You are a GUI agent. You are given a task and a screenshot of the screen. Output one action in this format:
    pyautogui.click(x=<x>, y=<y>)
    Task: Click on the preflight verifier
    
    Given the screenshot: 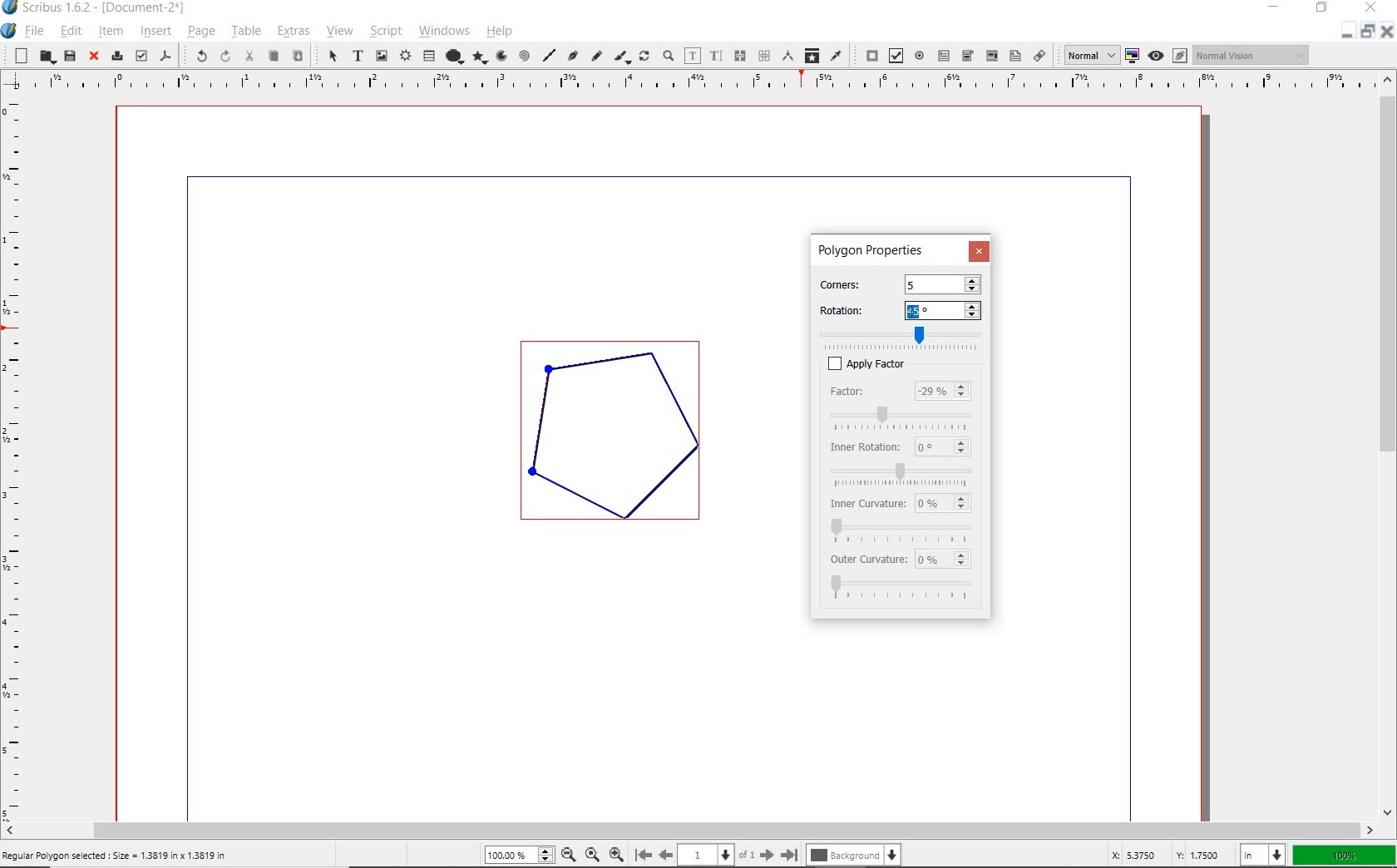 What is the action you would take?
    pyautogui.click(x=141, y=55)
    